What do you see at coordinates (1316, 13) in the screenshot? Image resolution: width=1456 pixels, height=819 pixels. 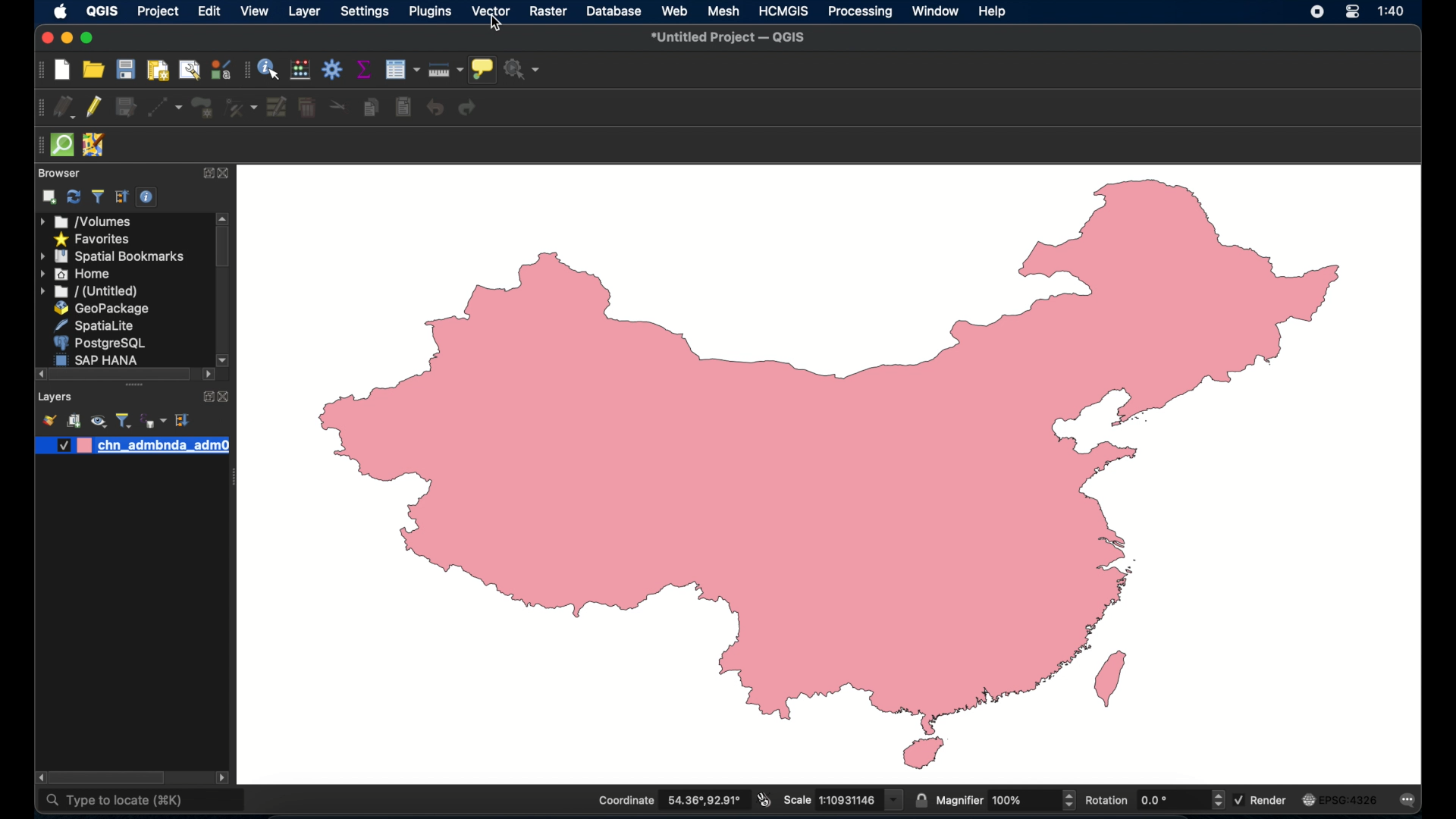 I see `screen recorder` at bounding box center [1316, 13].